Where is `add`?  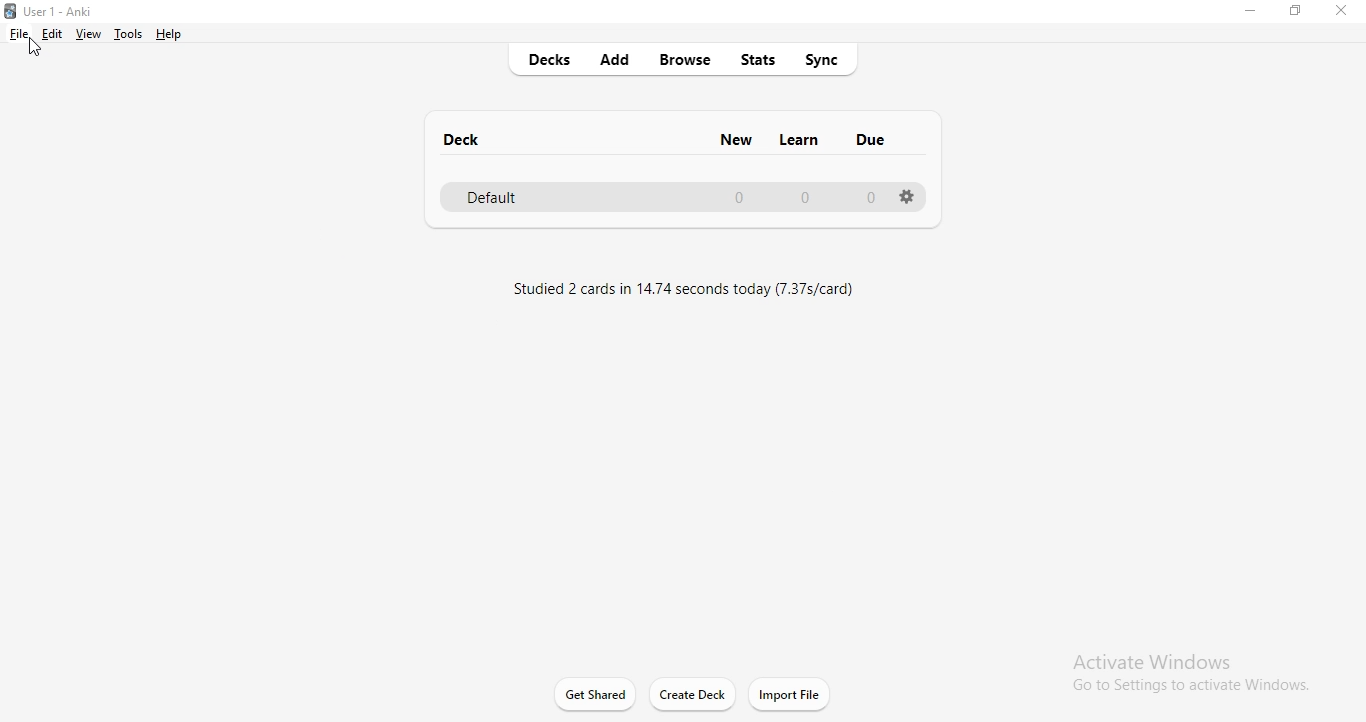
add is located at coordinates (619, 59).